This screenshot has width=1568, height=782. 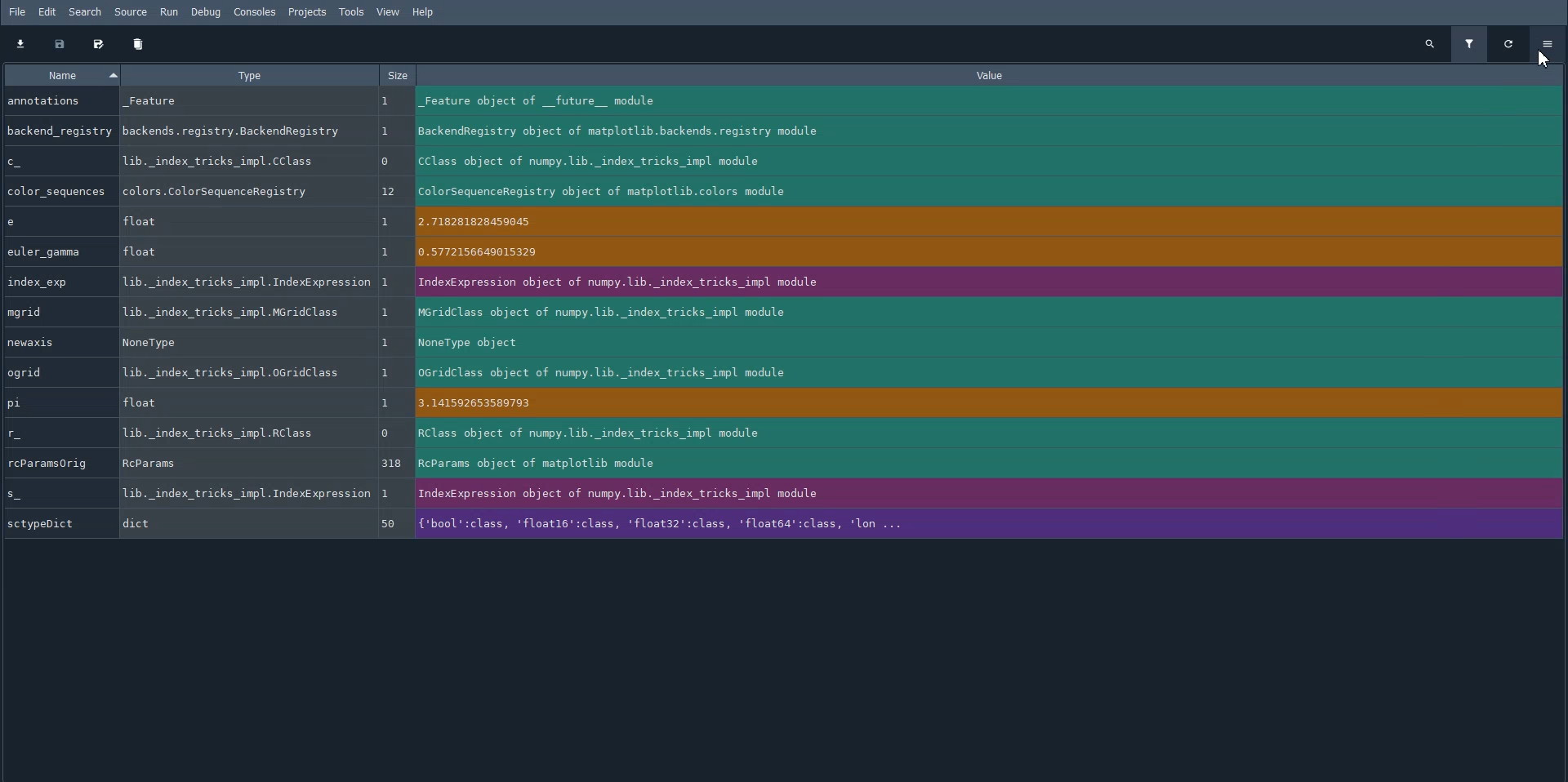 What do you see at coordinates (247, 74) in the screenshot?
I see `Type` at bounding box center [247, 74].